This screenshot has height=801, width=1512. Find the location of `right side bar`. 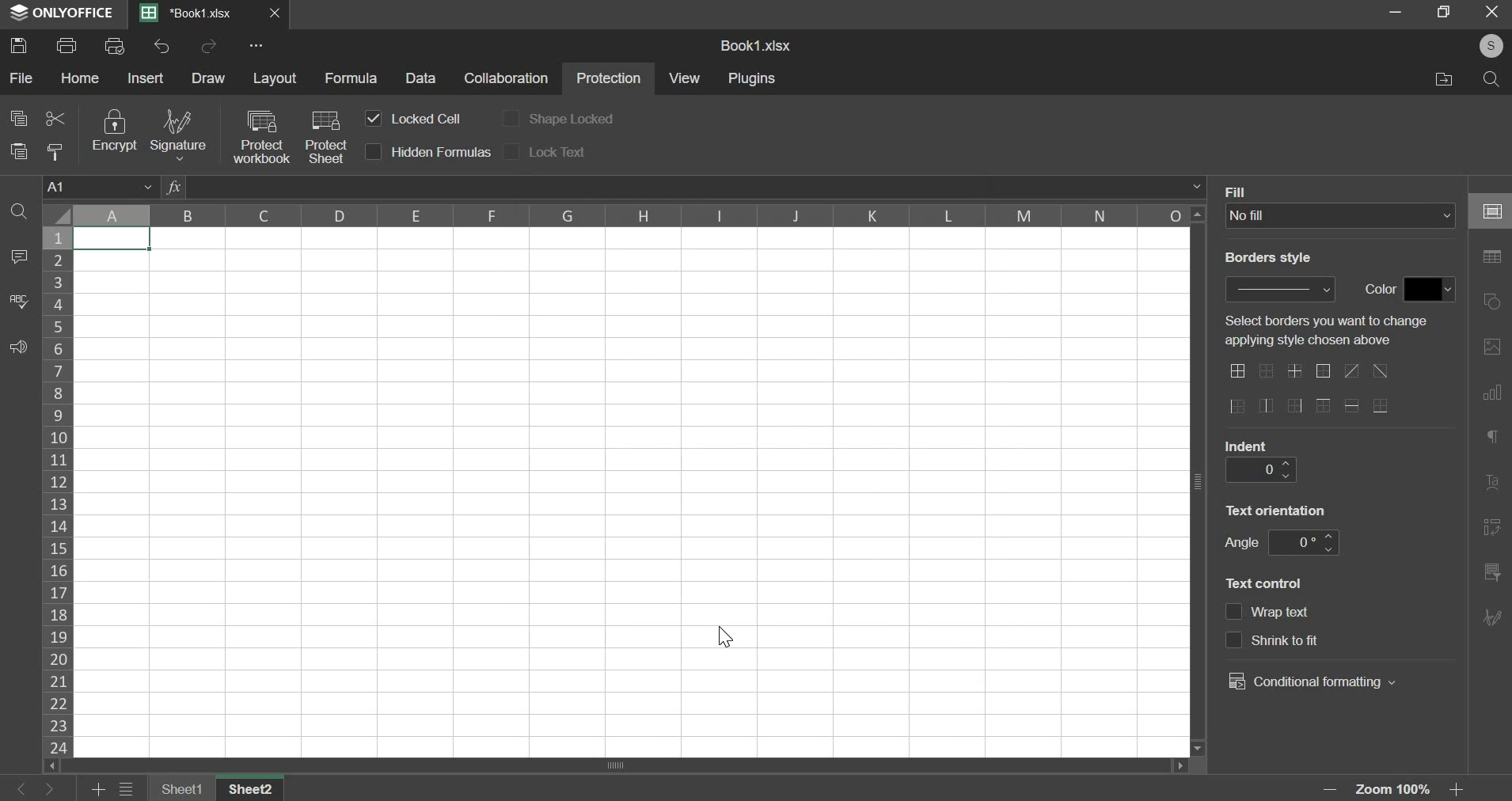

right side bar is located at coordinates (1496, 211).